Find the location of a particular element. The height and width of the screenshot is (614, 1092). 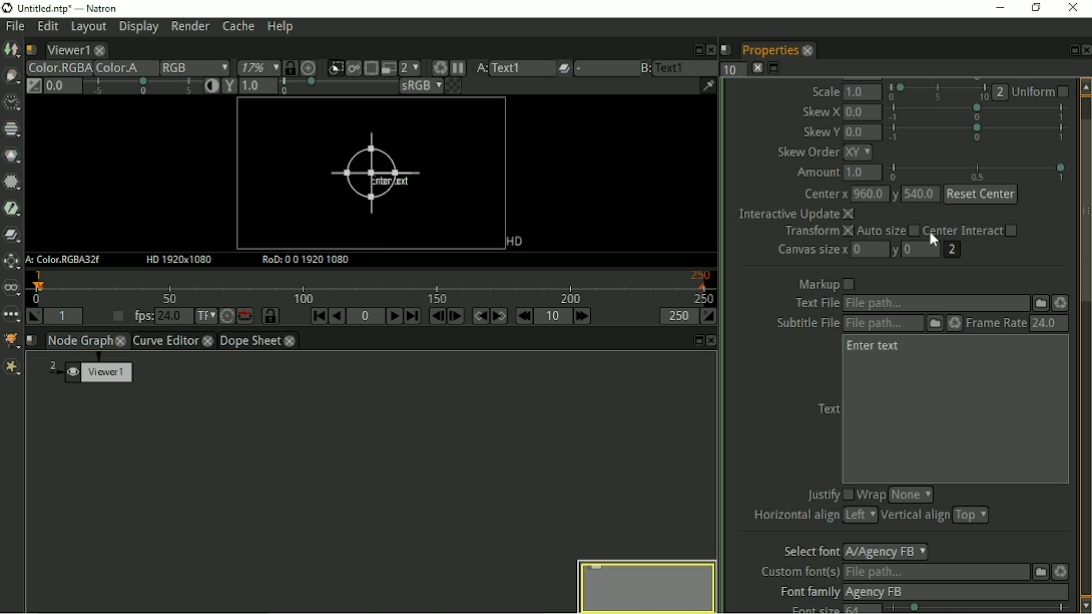

Viewer1 is located at coordinates (66, 50).